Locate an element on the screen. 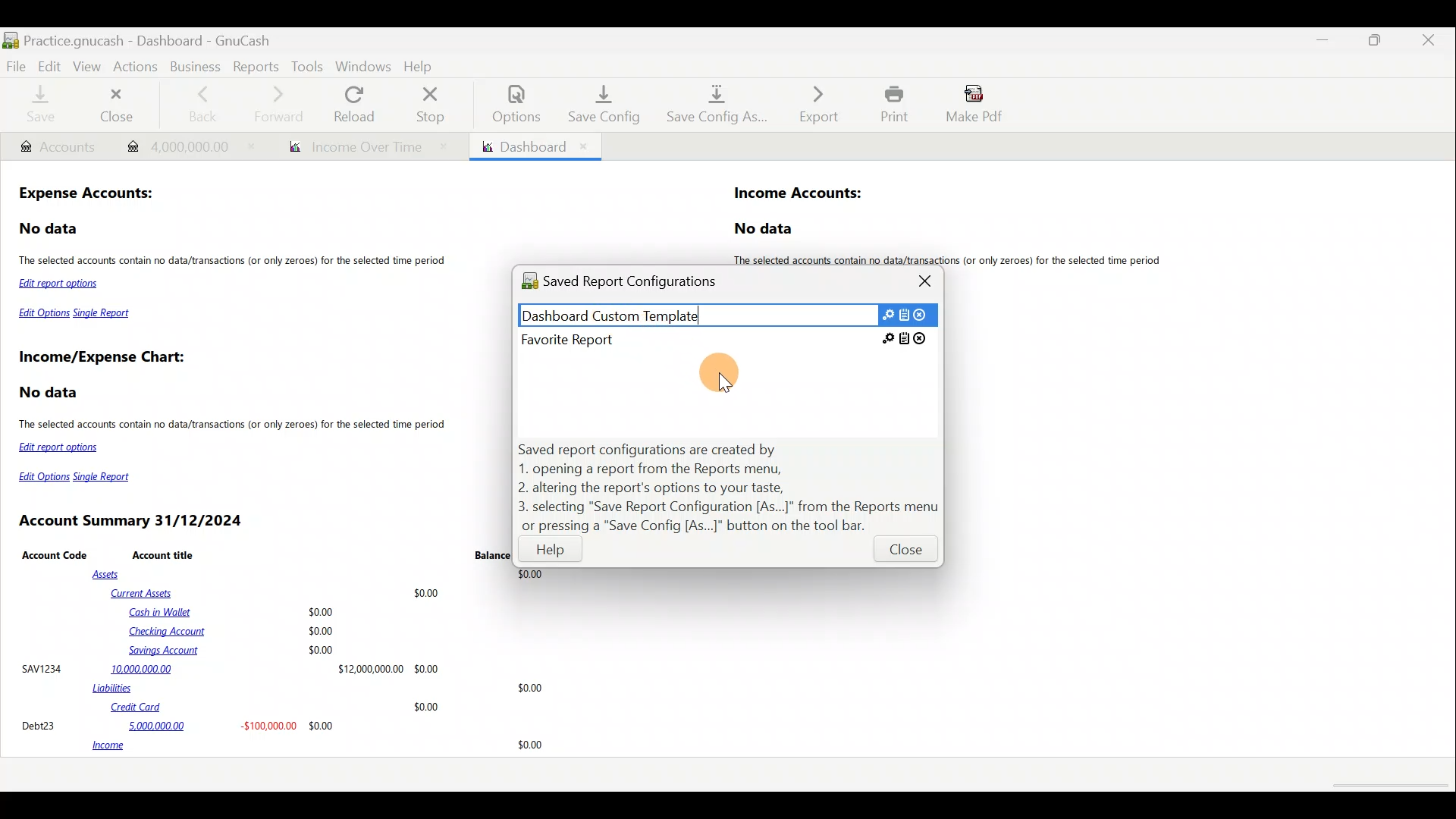 The height and width of the screenshot is (819, 1456). Close is located at coordinates (1429, 42).